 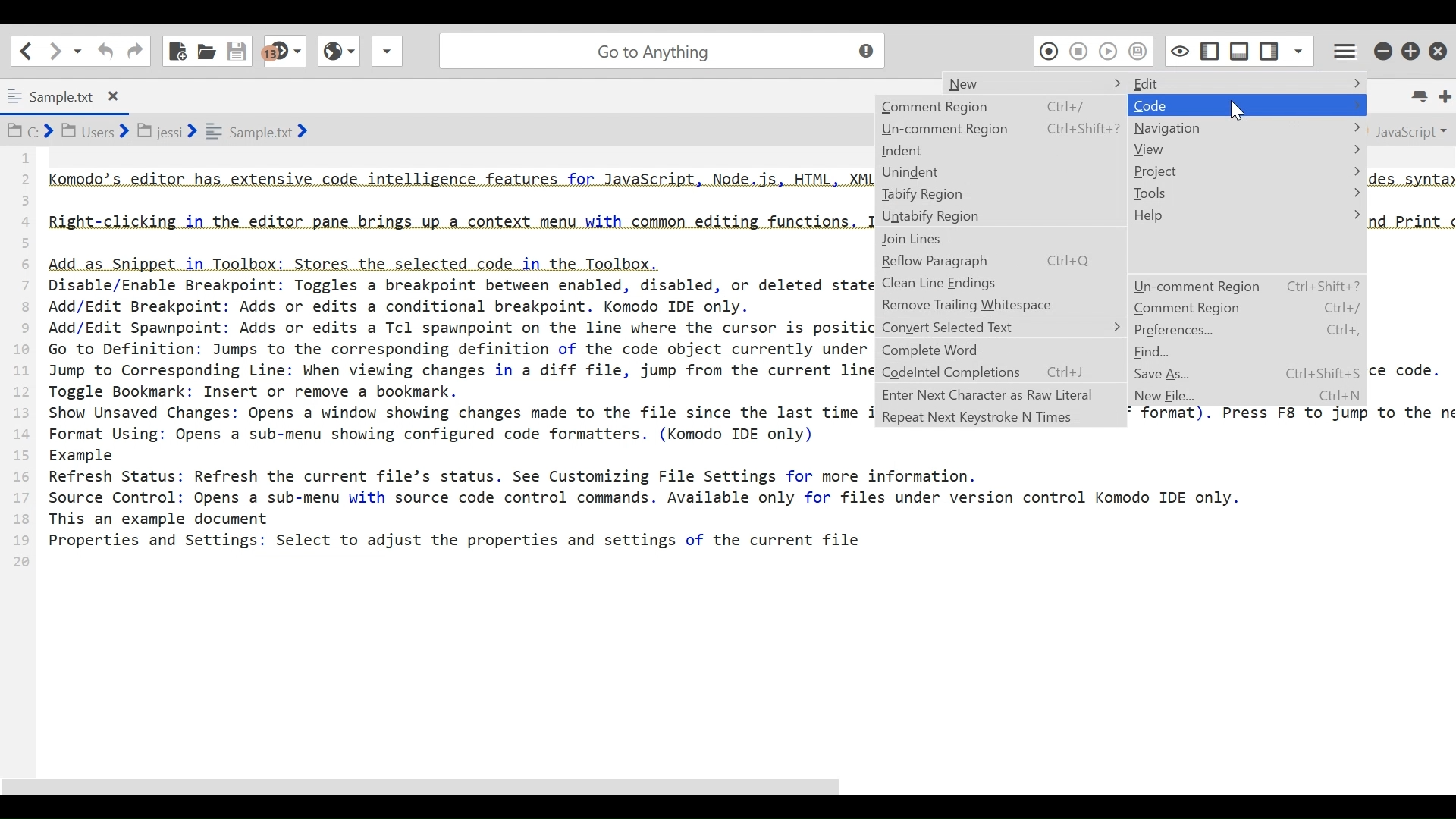 What do you see at coordinates (104, 51) in the screenshot?
I see `Undo` at bounding box center [104, 51].